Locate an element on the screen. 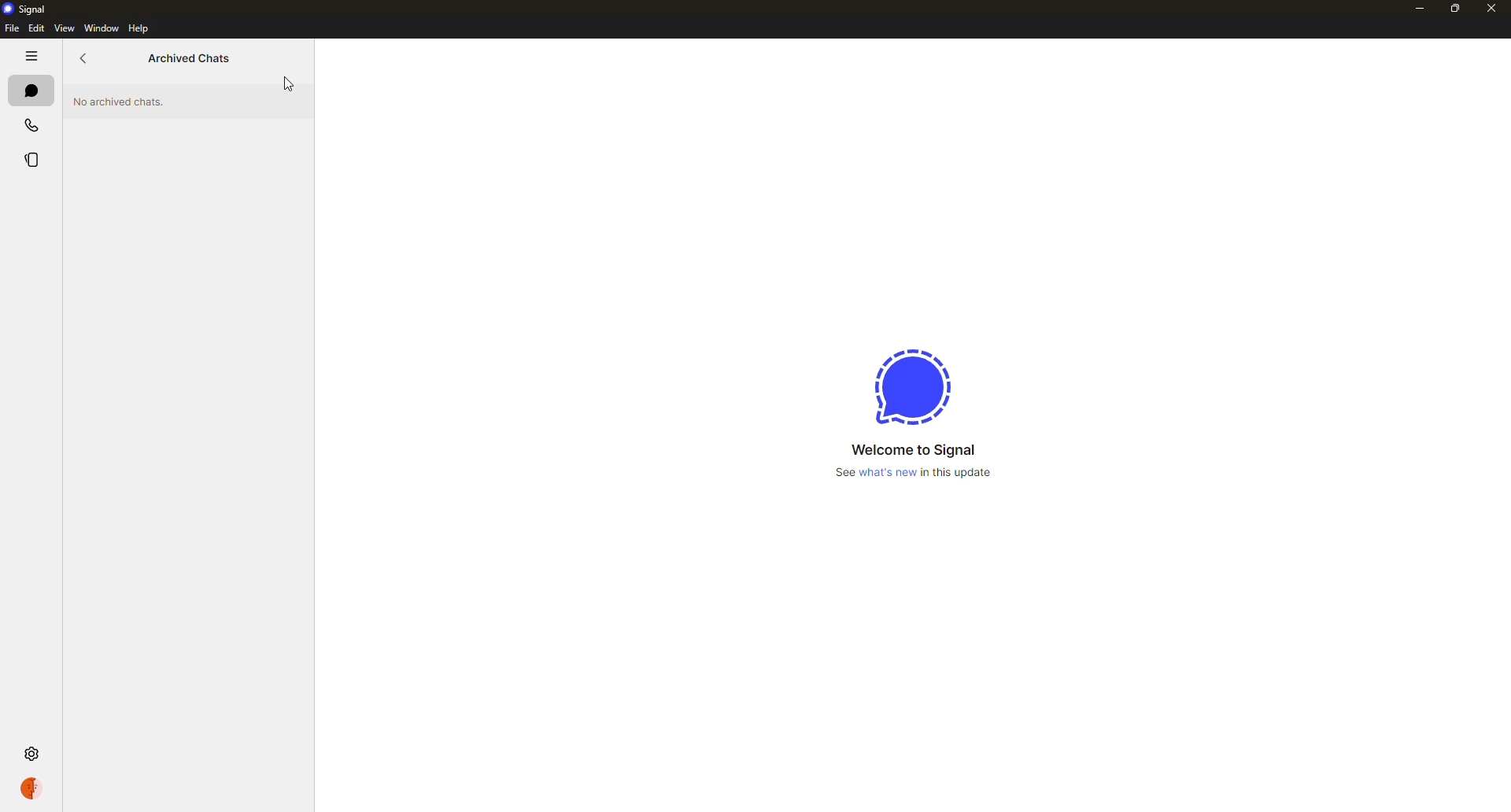  signal is located at coordinates (30, 9).